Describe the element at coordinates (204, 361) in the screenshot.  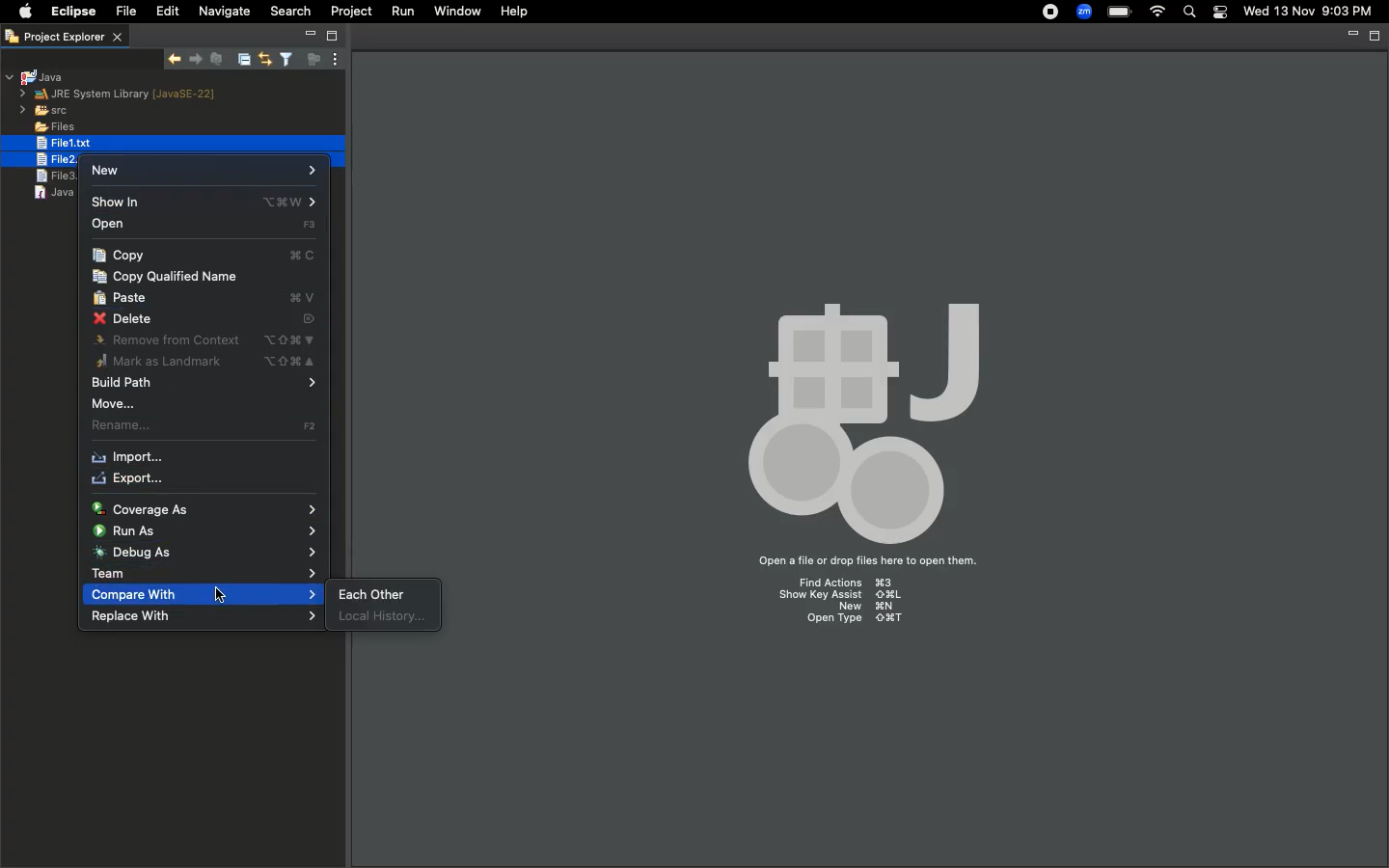
I see `Mark as landmark` at that location.